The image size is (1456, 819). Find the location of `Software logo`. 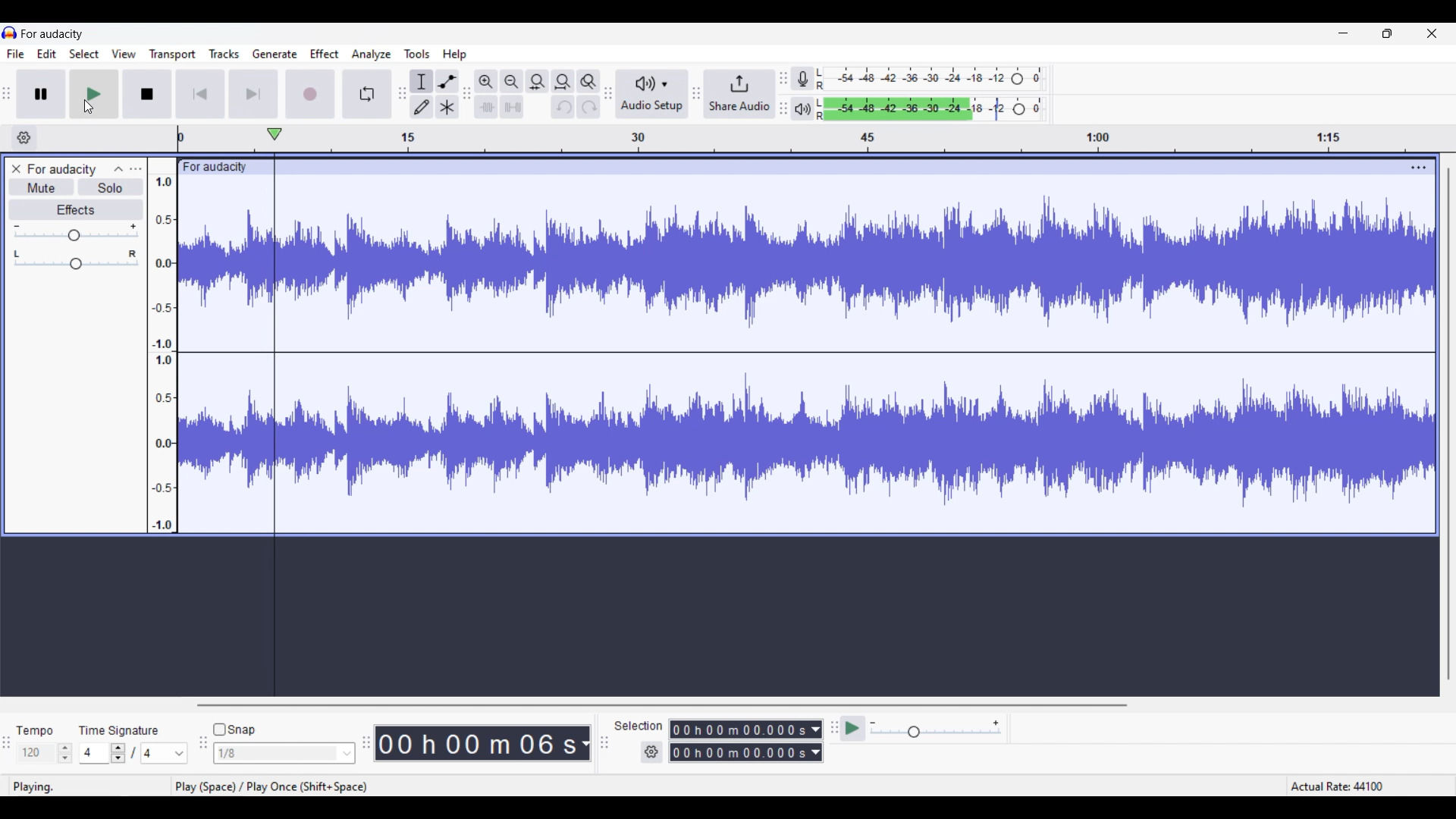

Software logo is located at coordinates (10, 33).